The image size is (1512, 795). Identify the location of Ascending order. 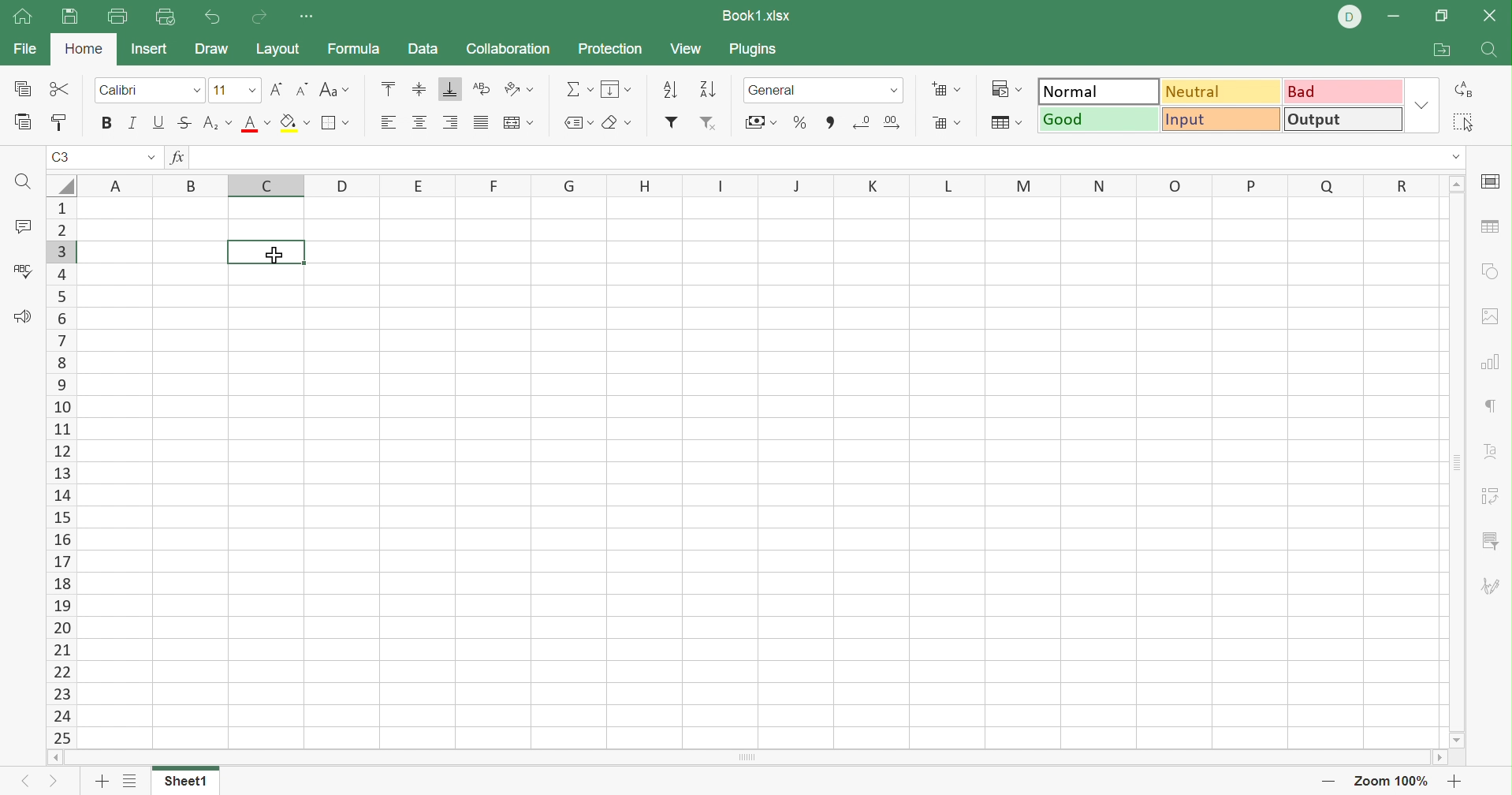
(672, 88).